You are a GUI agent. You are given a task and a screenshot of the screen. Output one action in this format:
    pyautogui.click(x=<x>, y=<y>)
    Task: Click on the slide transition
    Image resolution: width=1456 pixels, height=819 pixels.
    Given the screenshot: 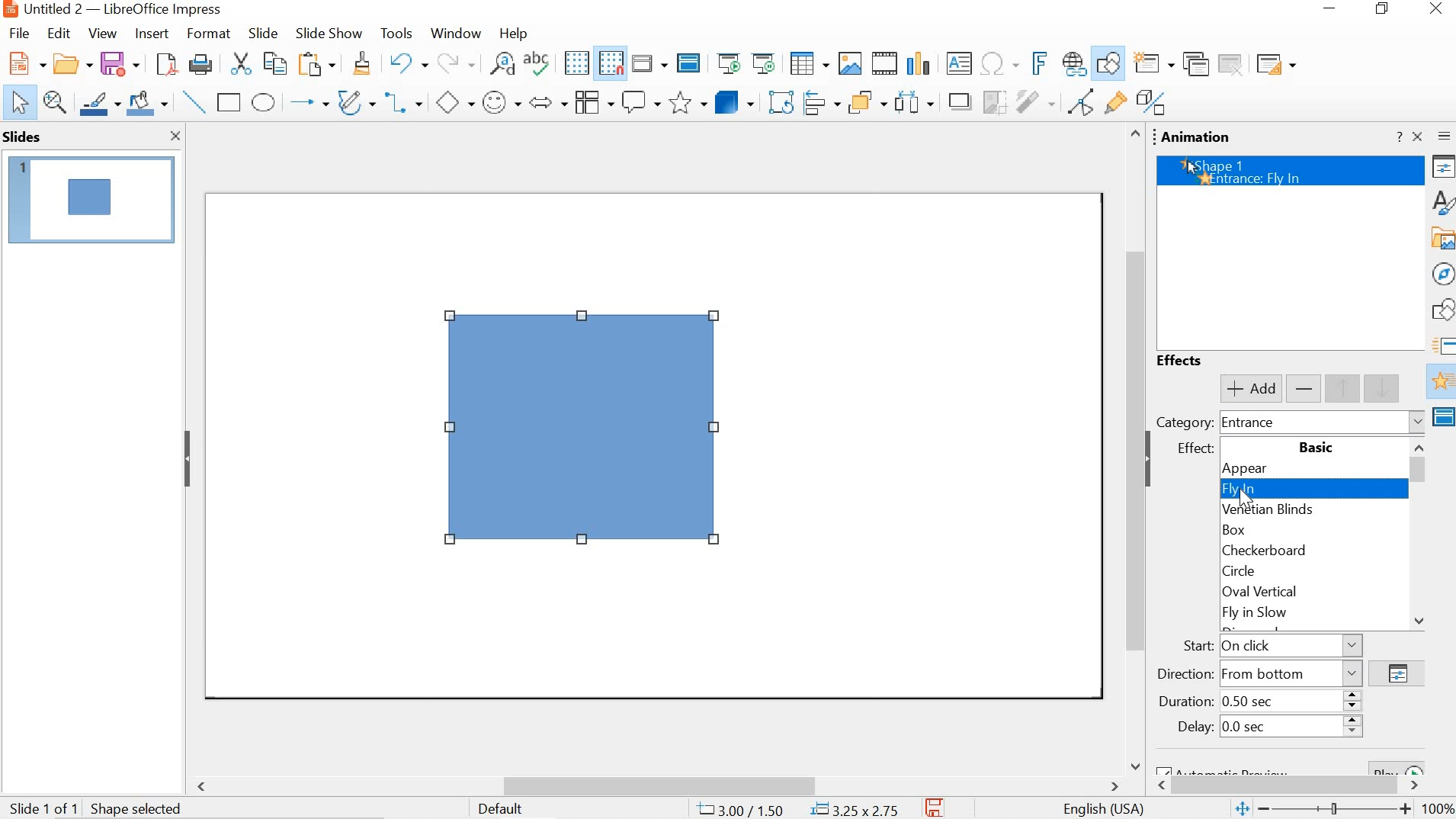 What is the action you would take?
    pyautogui.click(x=1442, y=344)
    